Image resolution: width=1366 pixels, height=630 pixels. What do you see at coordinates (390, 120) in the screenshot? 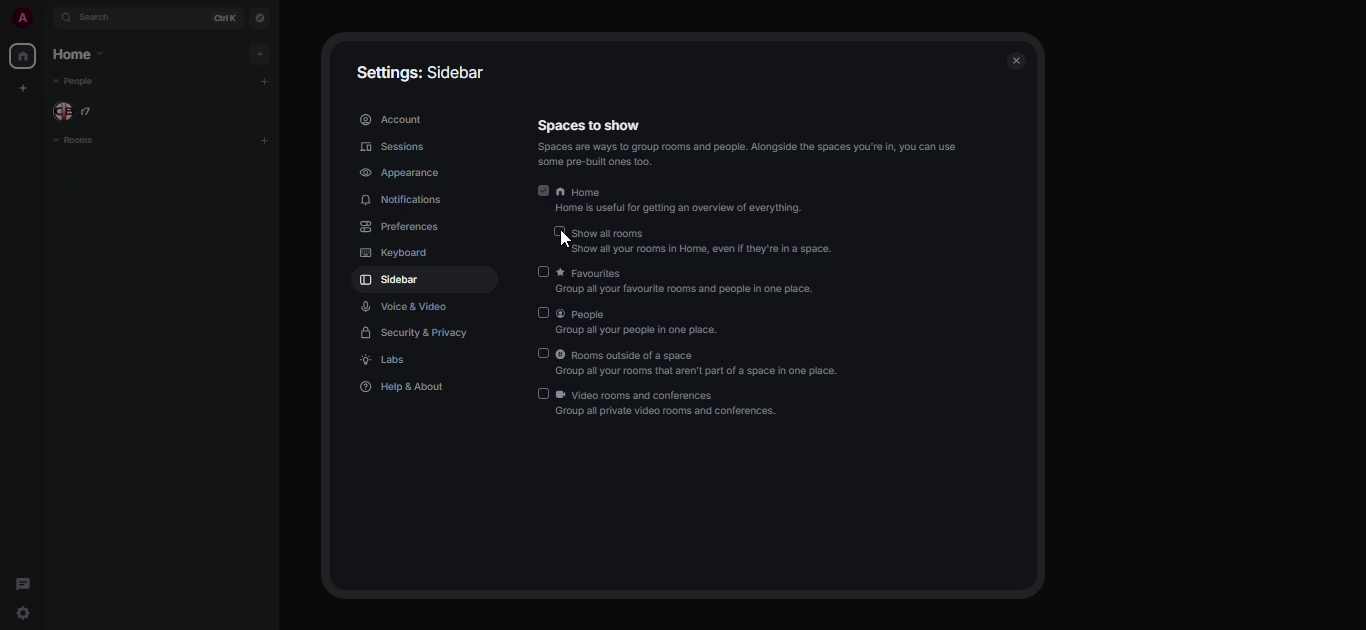
I see `account` at bounding box center [390, 120].